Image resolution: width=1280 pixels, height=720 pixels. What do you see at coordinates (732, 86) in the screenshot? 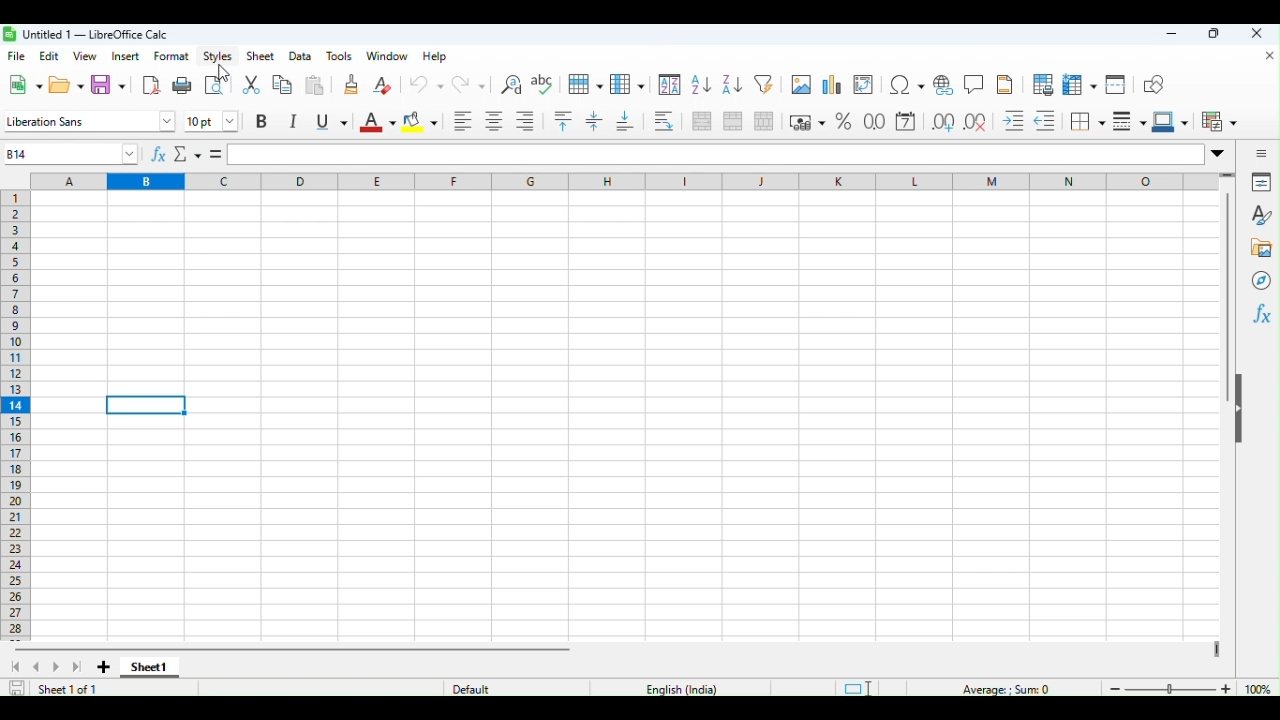
I see `Sort descending` at bounding box center [732, 86].